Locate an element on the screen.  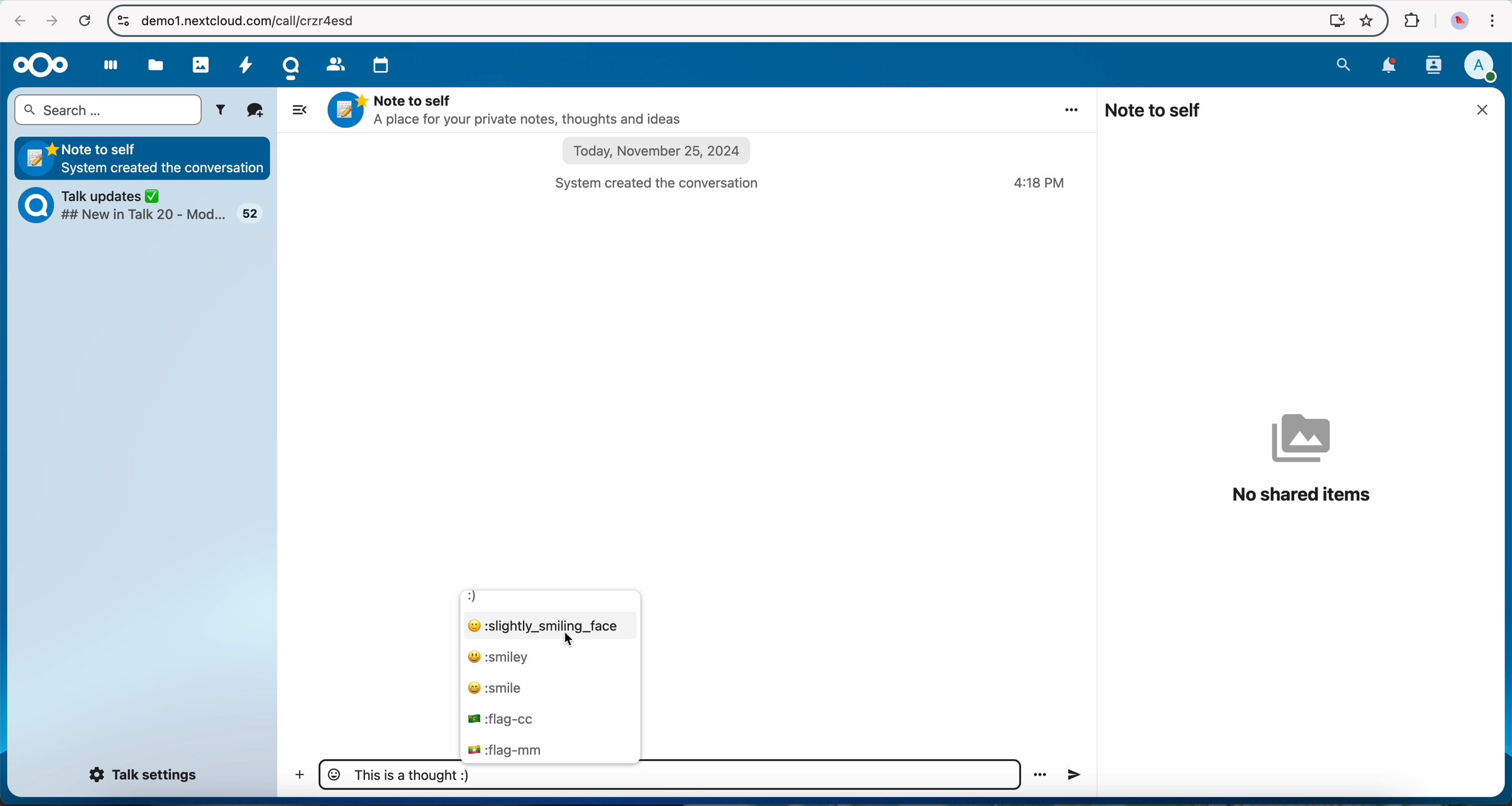
hour is located at coordinates (1041, 184).